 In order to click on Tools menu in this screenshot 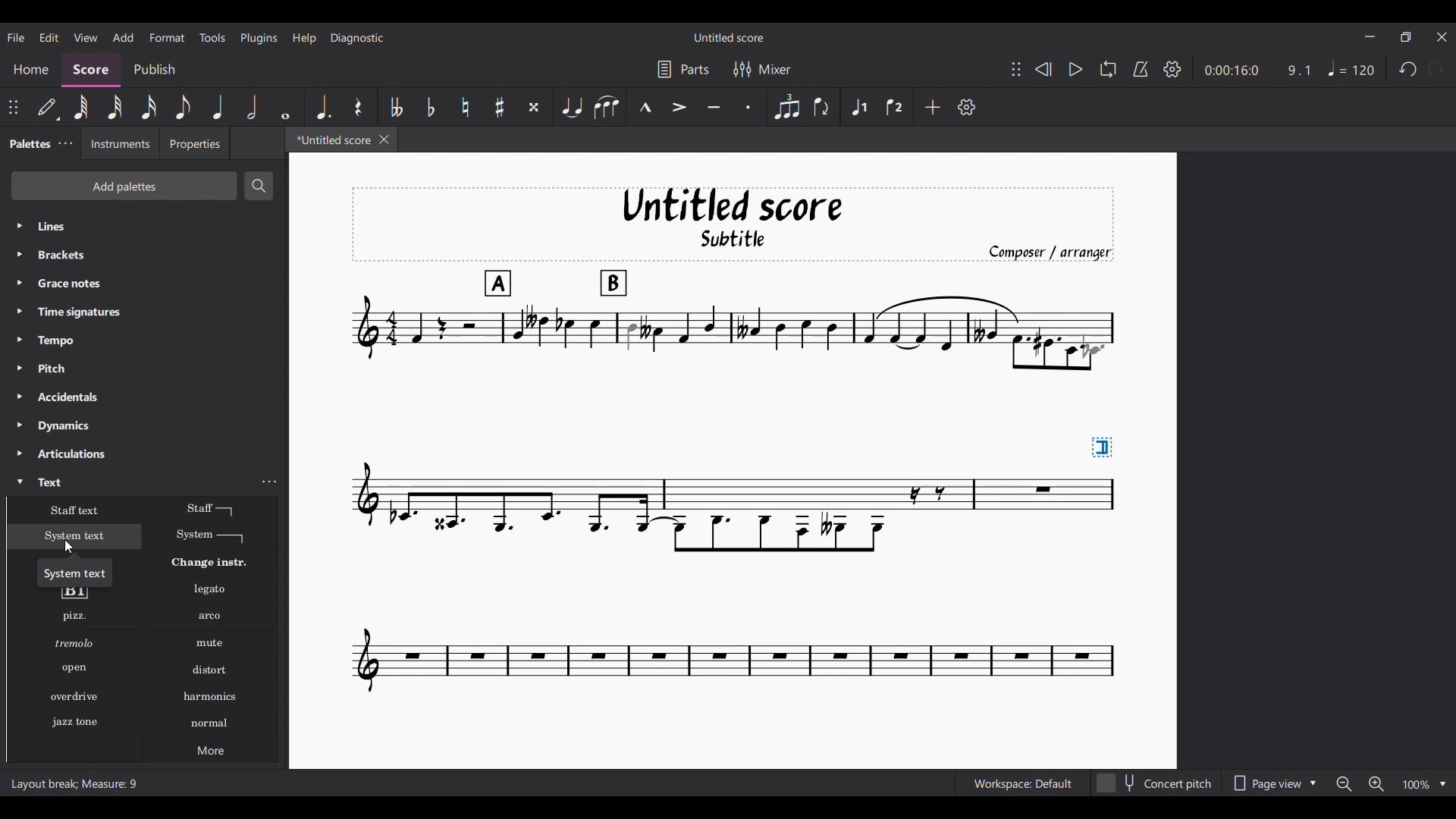, I will do `click(212, 37)`.